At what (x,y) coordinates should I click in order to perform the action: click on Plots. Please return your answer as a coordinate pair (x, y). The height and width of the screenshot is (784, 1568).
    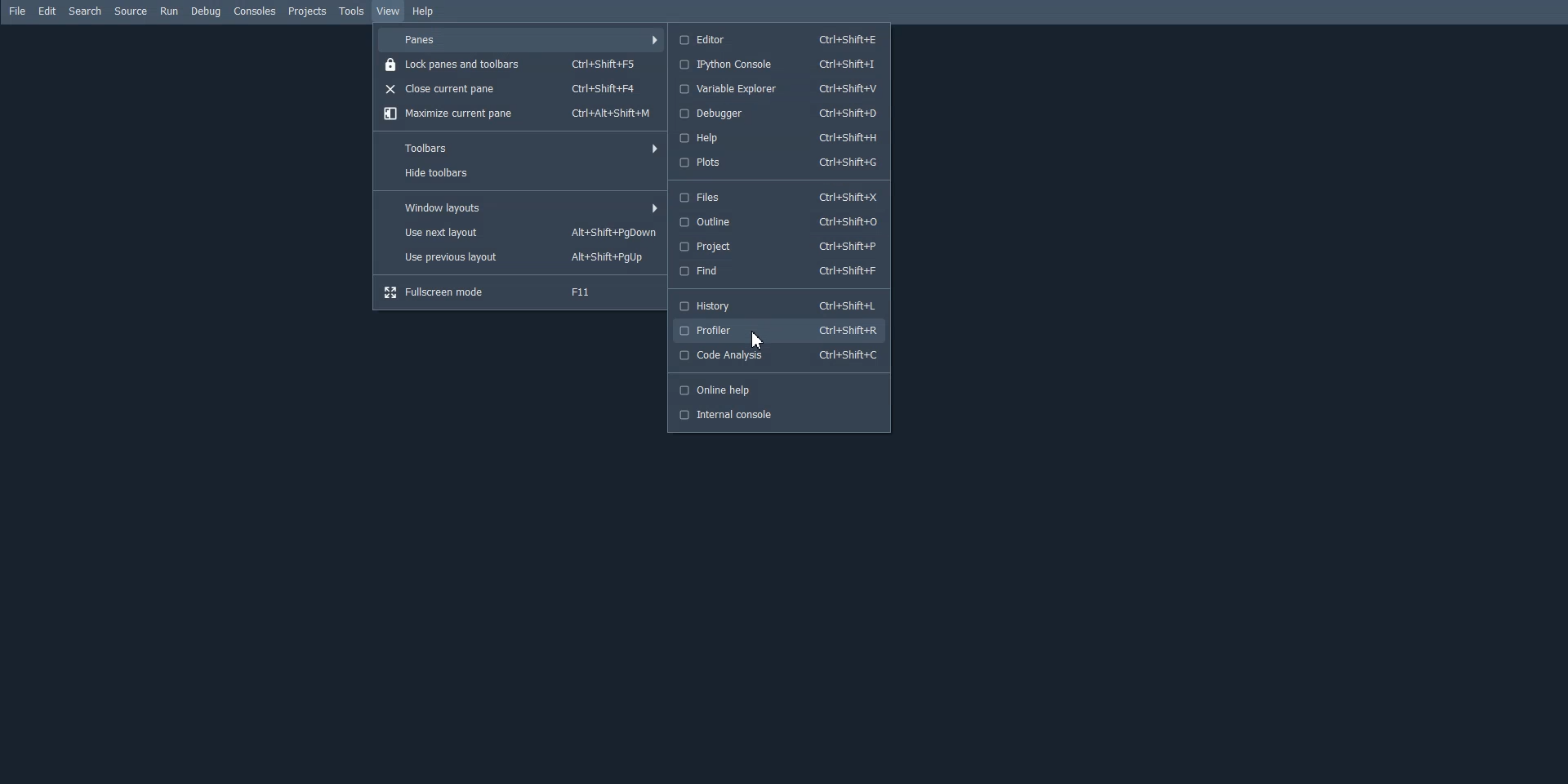
    Looking at the image, I should click on (777, 163).